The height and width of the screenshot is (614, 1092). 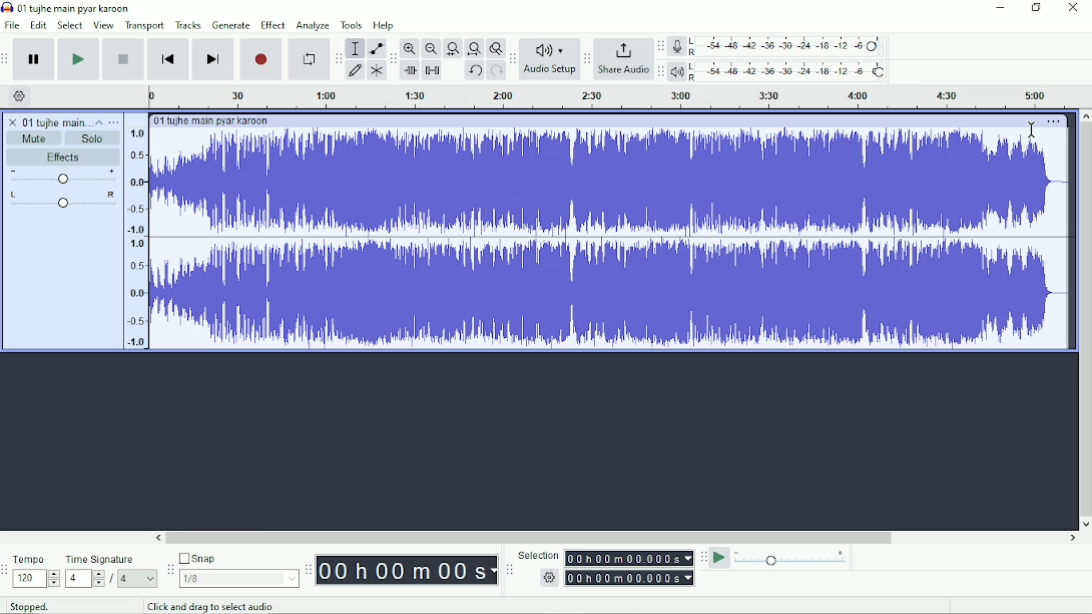 What do you see at coordinates (63, 177) in the screenshot?
I see `Volume` at bounding box center [63, 177].